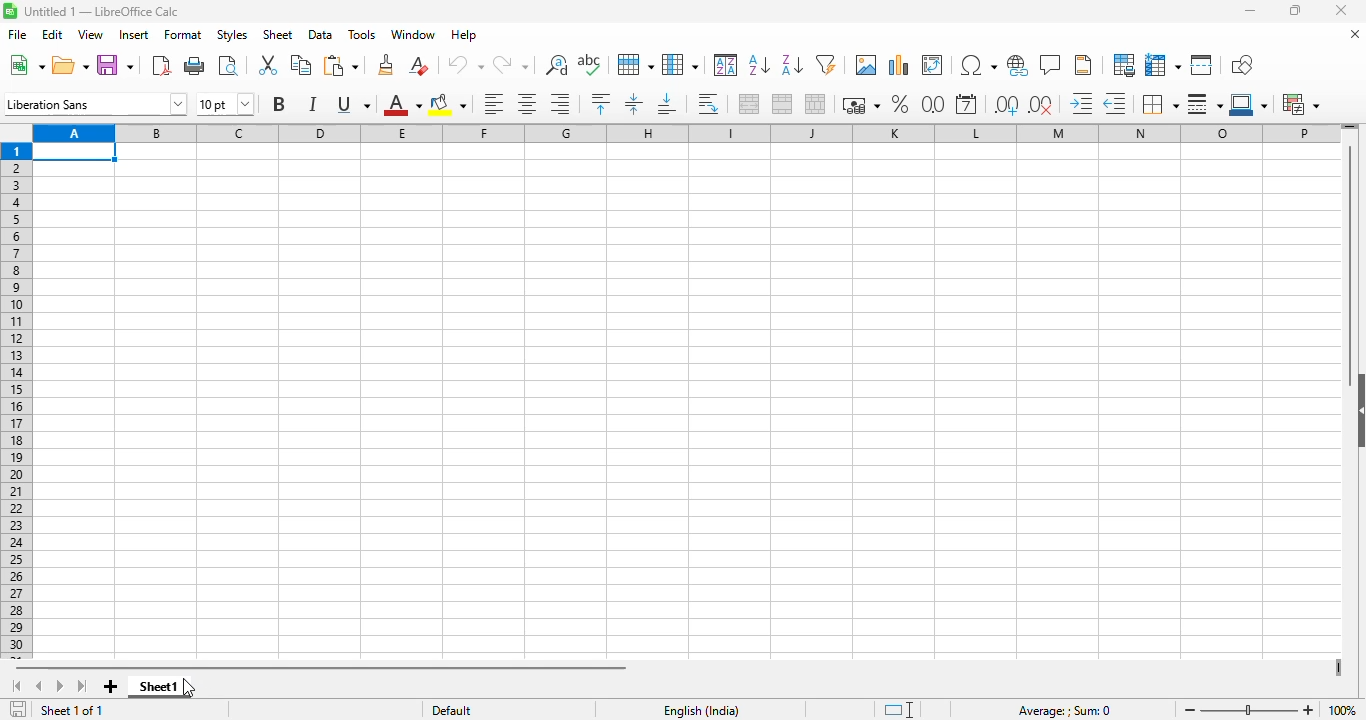  Describe the element at coordinates (26, 65) in the screenshot. I see `new` at that location.